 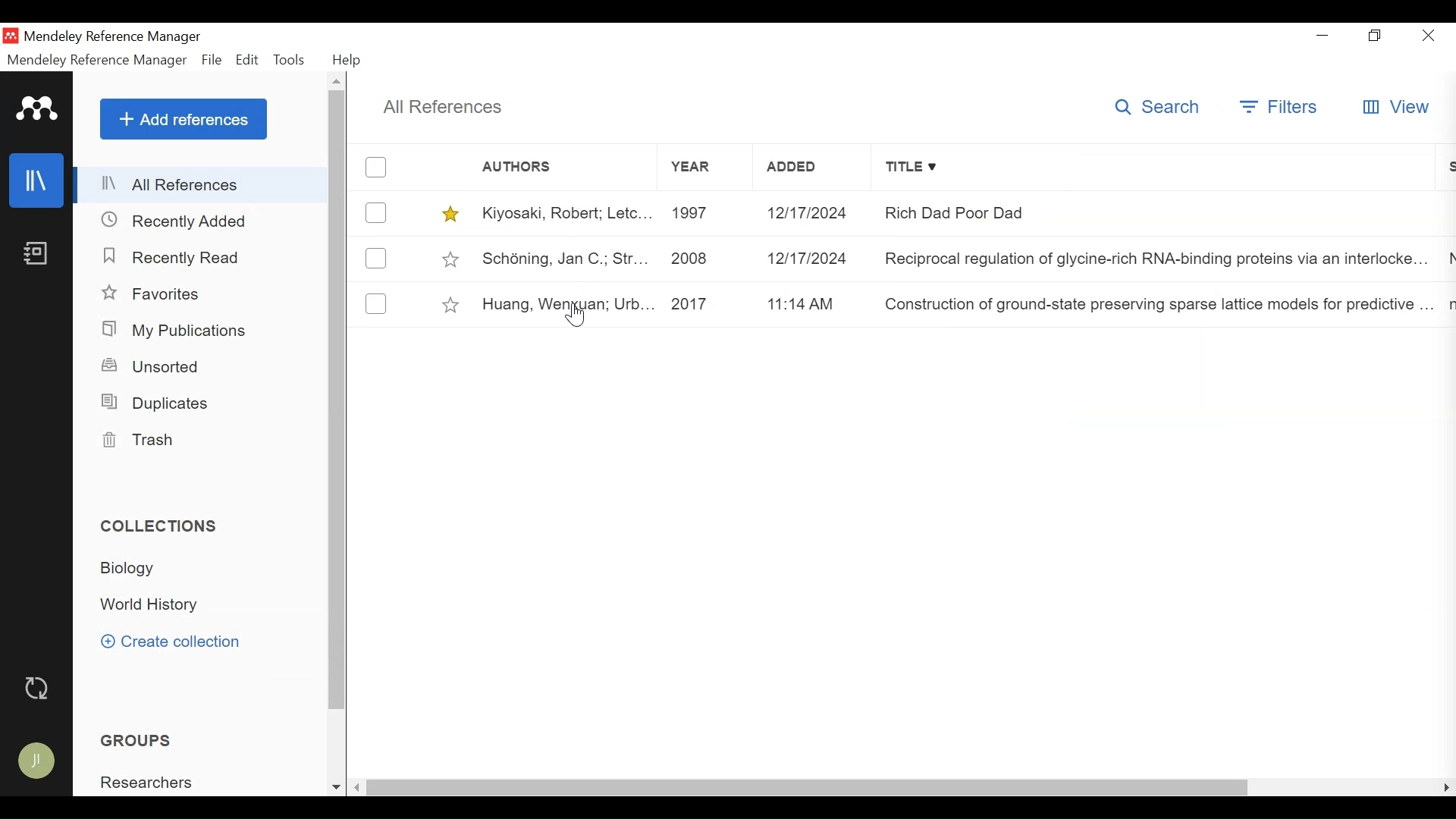 I want to click on Library, so click(x=37, y=180).